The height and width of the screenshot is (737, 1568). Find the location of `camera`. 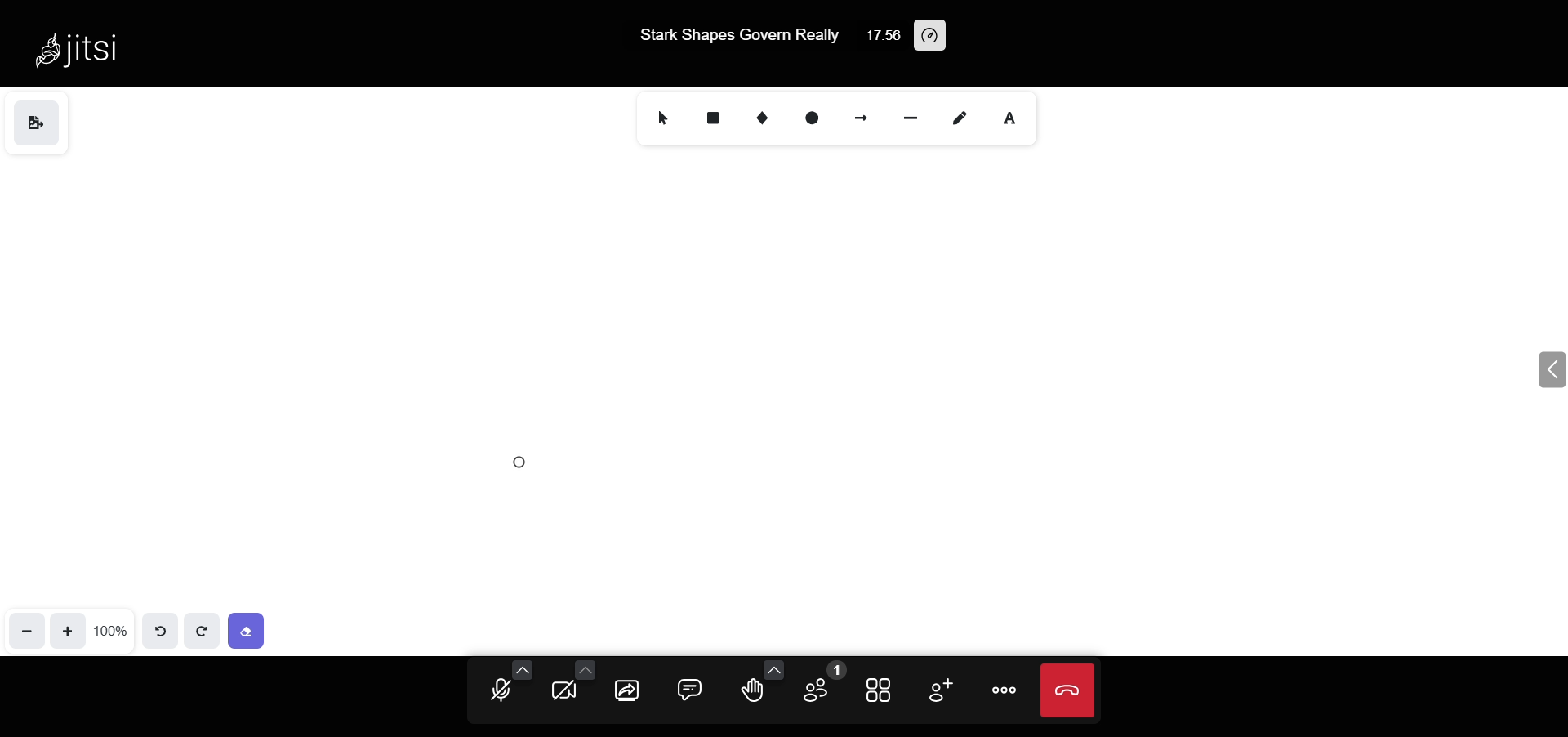

camera is located at coordinates (565, 694).